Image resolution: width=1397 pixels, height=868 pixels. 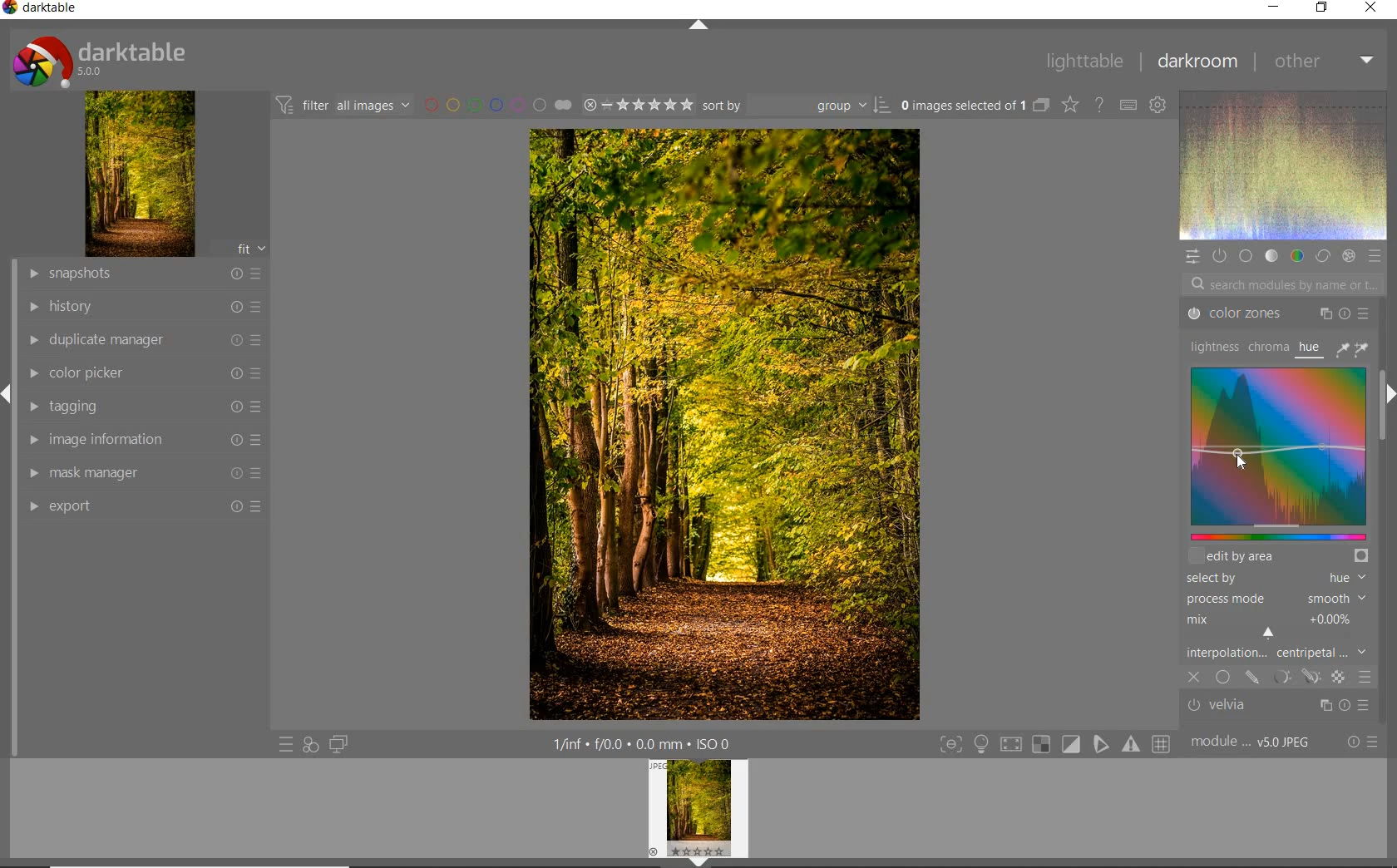 I want to click on ENABLE FOR ONLINE HELP, so click(x=1098, y=105).